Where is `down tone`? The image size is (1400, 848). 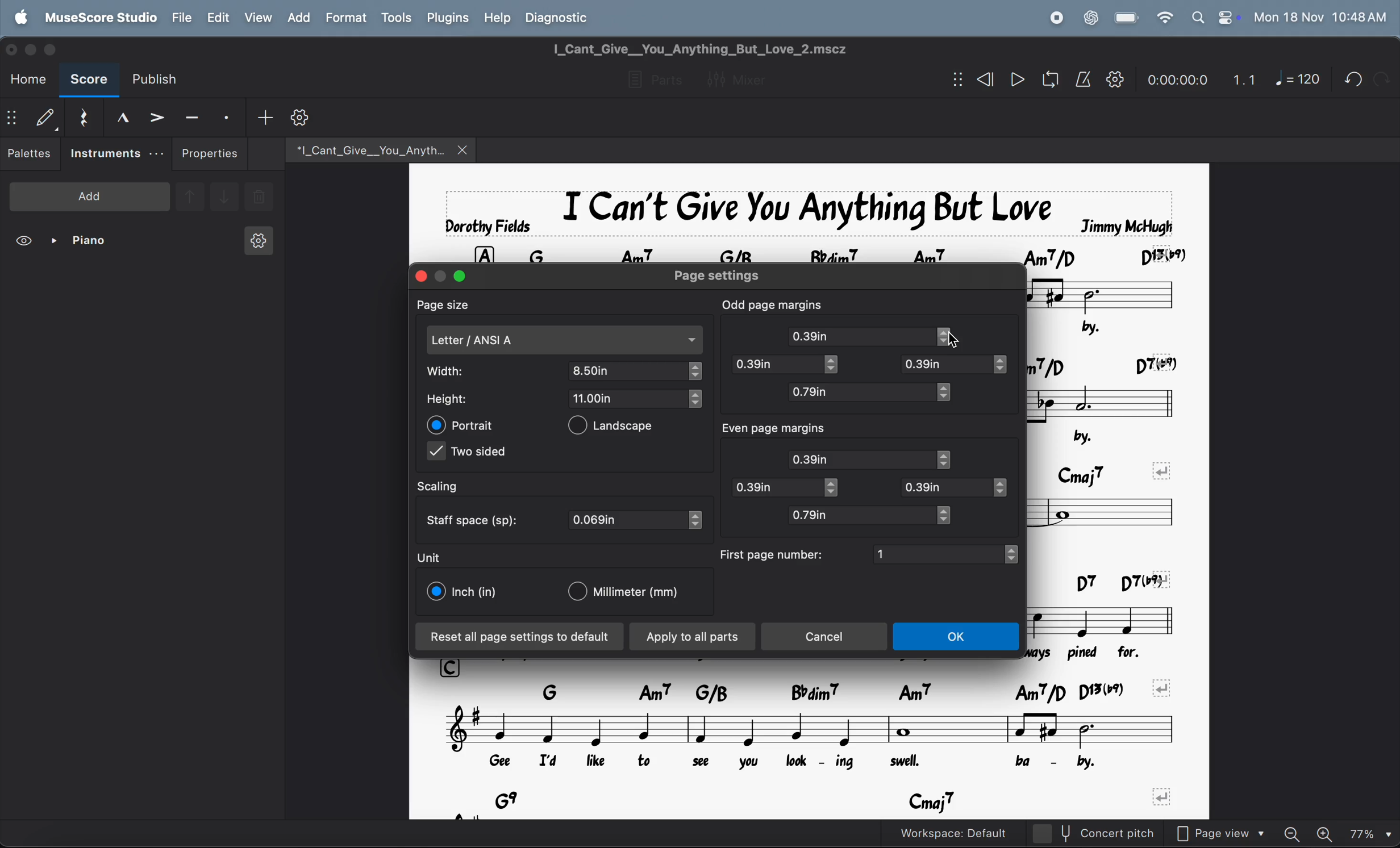
down tone is located at coordinates (225, 198).